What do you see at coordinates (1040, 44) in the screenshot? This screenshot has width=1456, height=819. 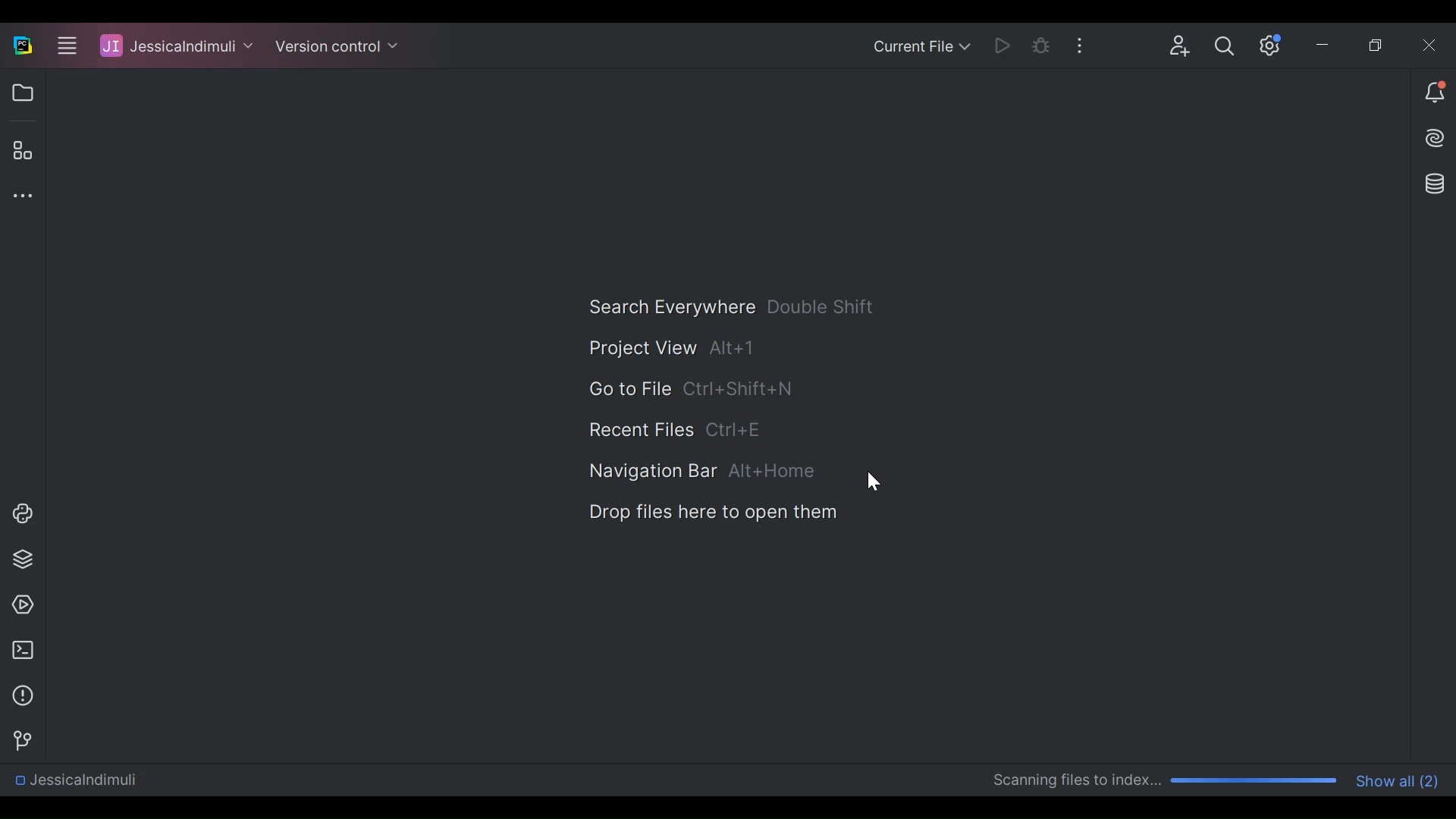 I see `Bug` at bounding box center [1040, 44].